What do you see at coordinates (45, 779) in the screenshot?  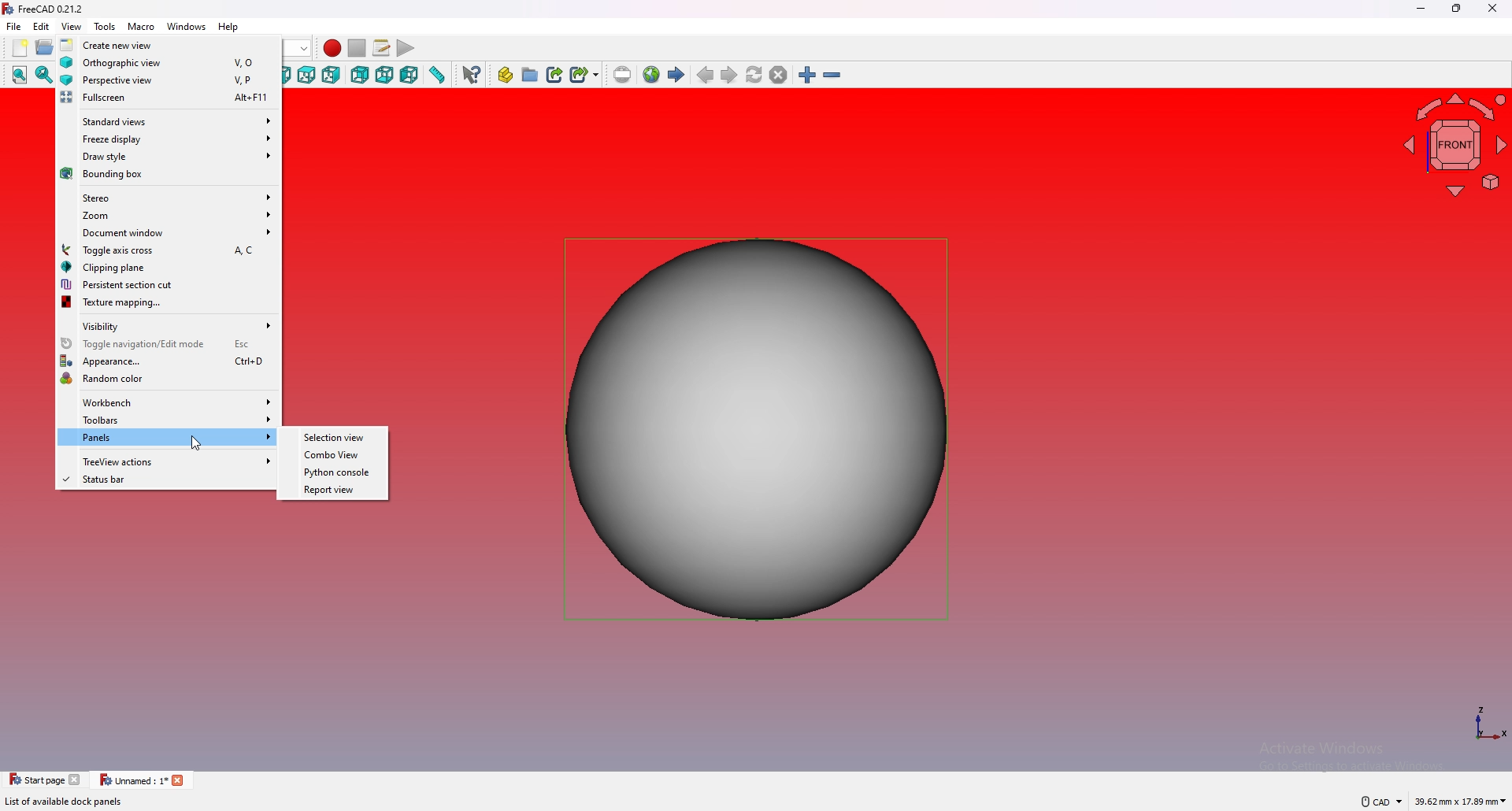 I see `tab 1` at bounding box center [45, 779].